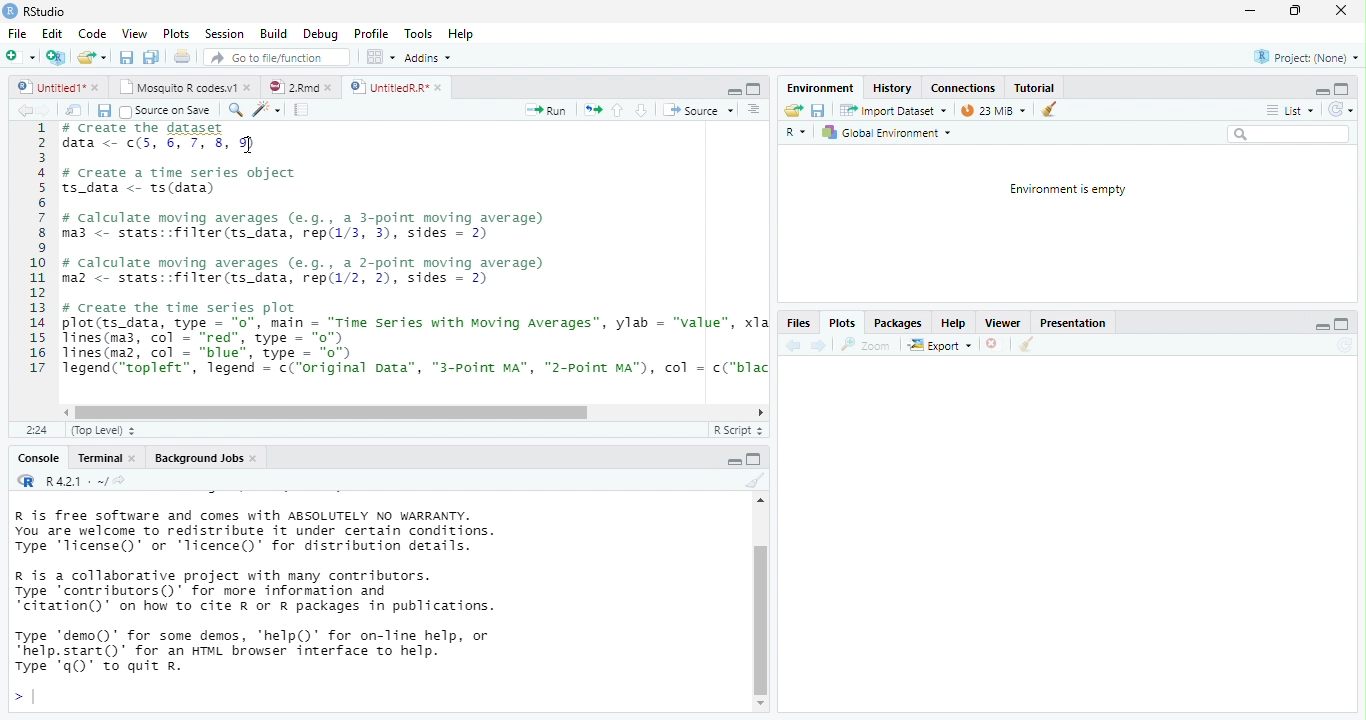 This screenshot has width=1366, height=720. I want to click on minimize, so click(1319, 93).